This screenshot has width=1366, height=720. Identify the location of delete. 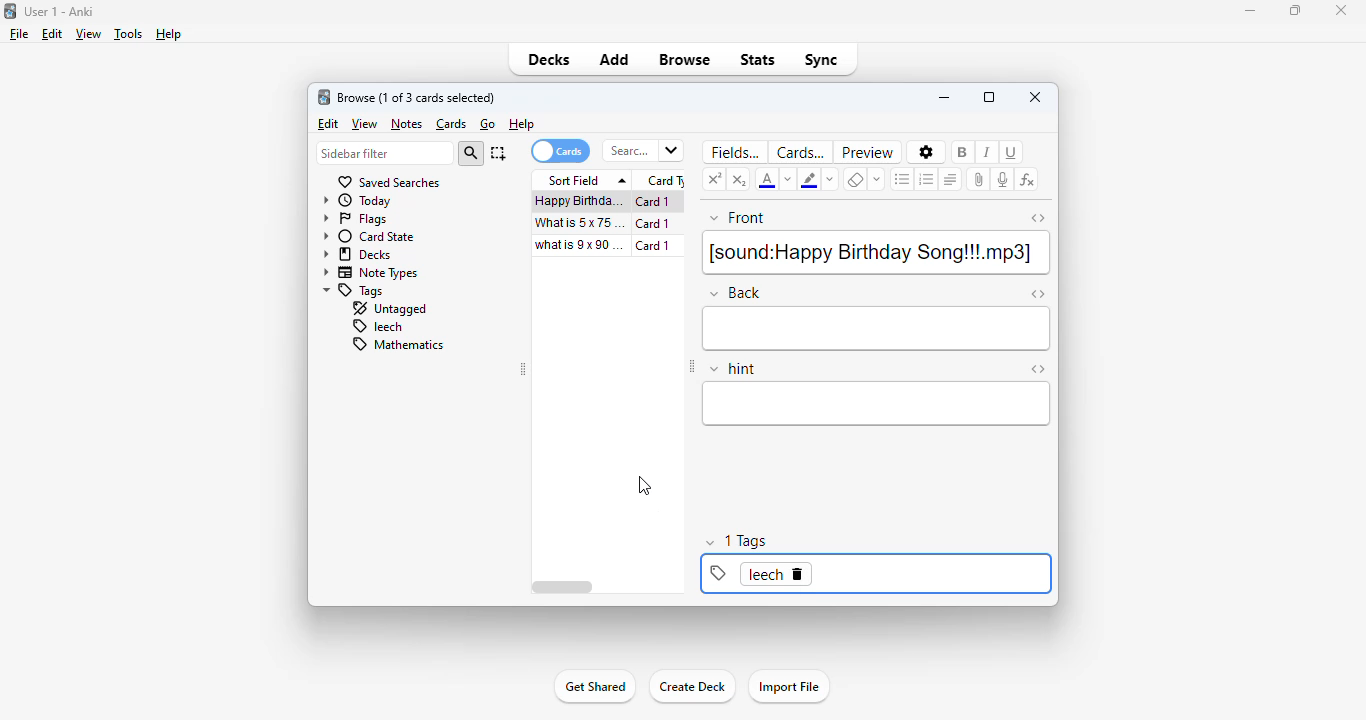
(798, 574).